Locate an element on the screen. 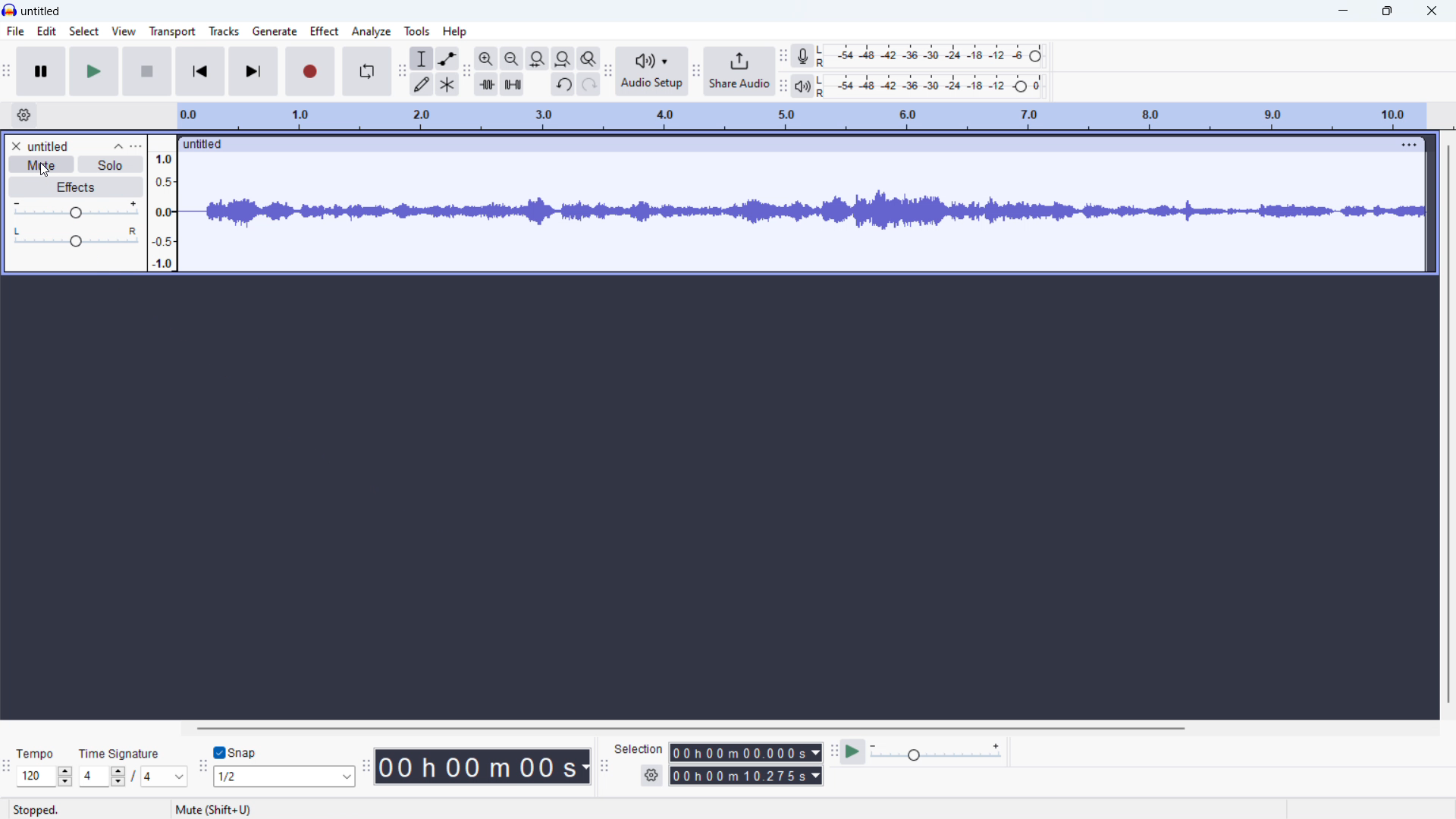 The height and width of the screenshot is (819, 1456). cursor is located at coordinates (45, 170).